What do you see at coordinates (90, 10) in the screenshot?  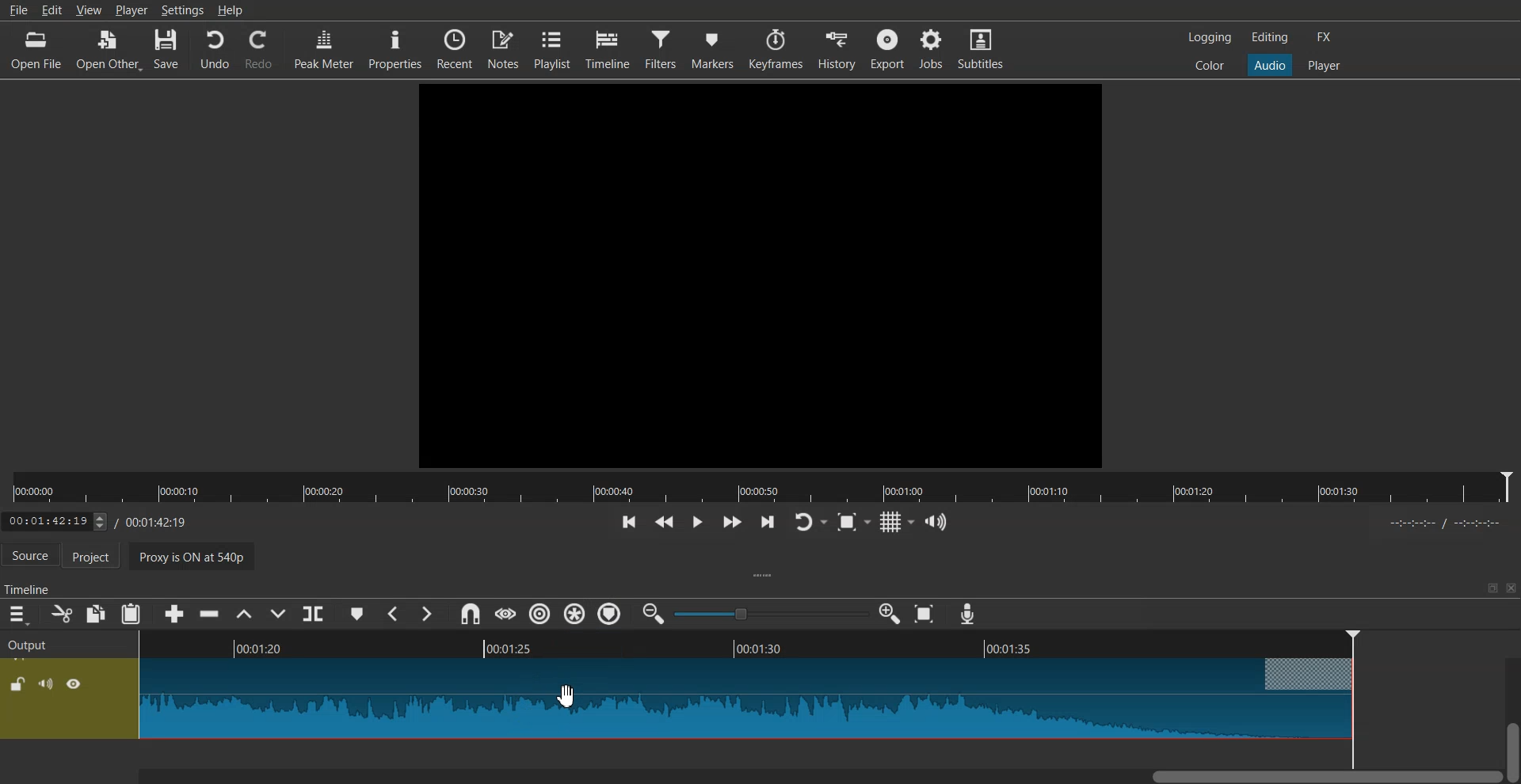 I see `View` at bounding box center [90, 10].